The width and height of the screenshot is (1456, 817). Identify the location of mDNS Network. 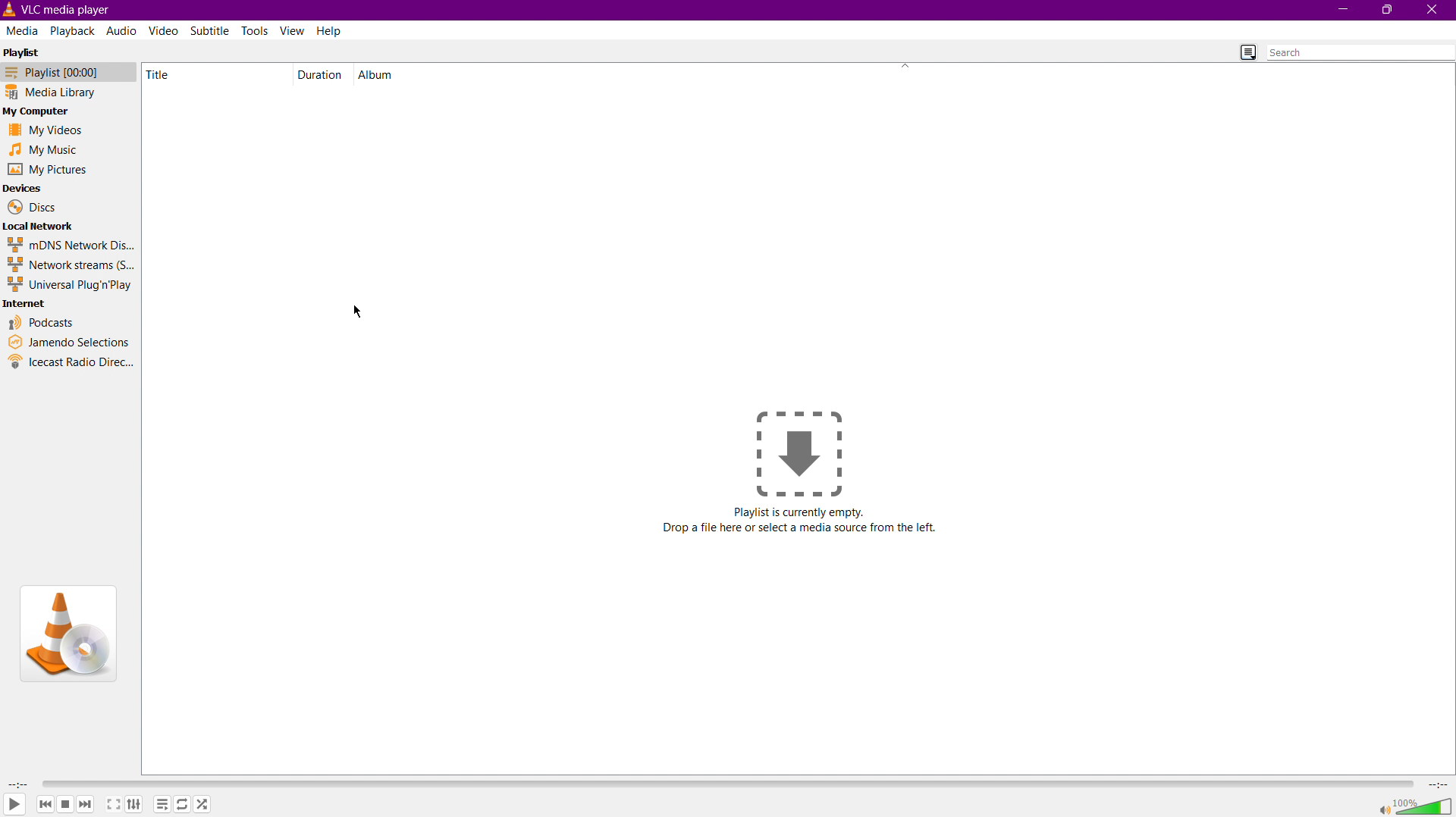
(69, 244).